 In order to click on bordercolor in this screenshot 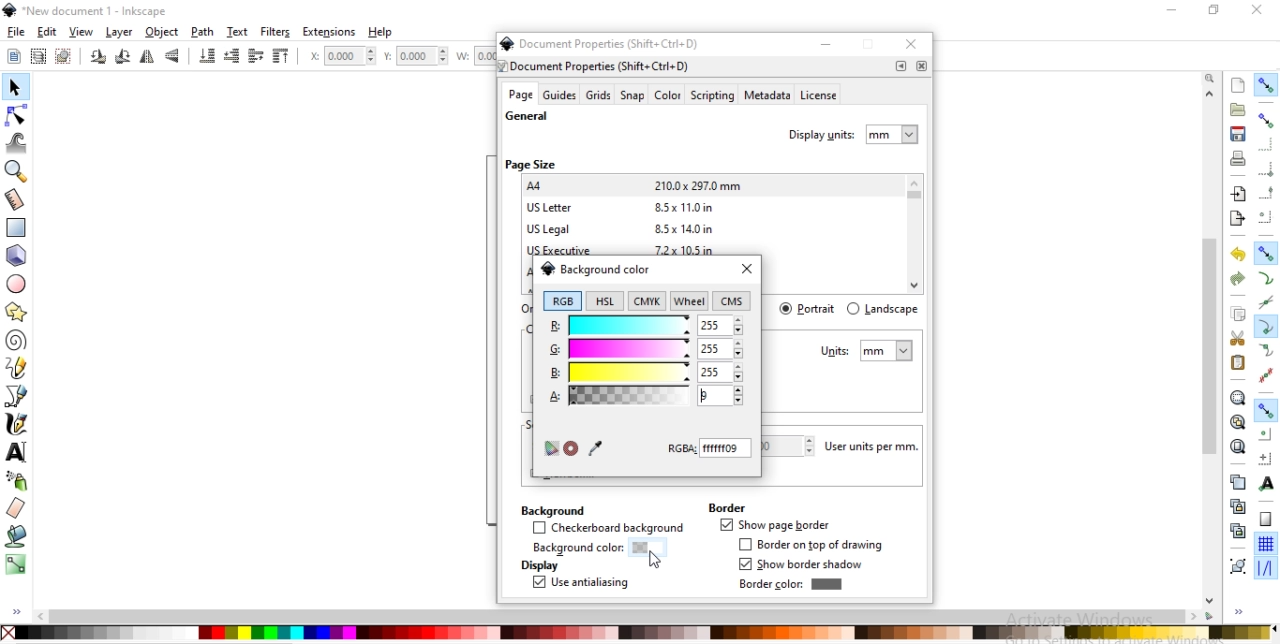, I will do `click(790, 584)`.